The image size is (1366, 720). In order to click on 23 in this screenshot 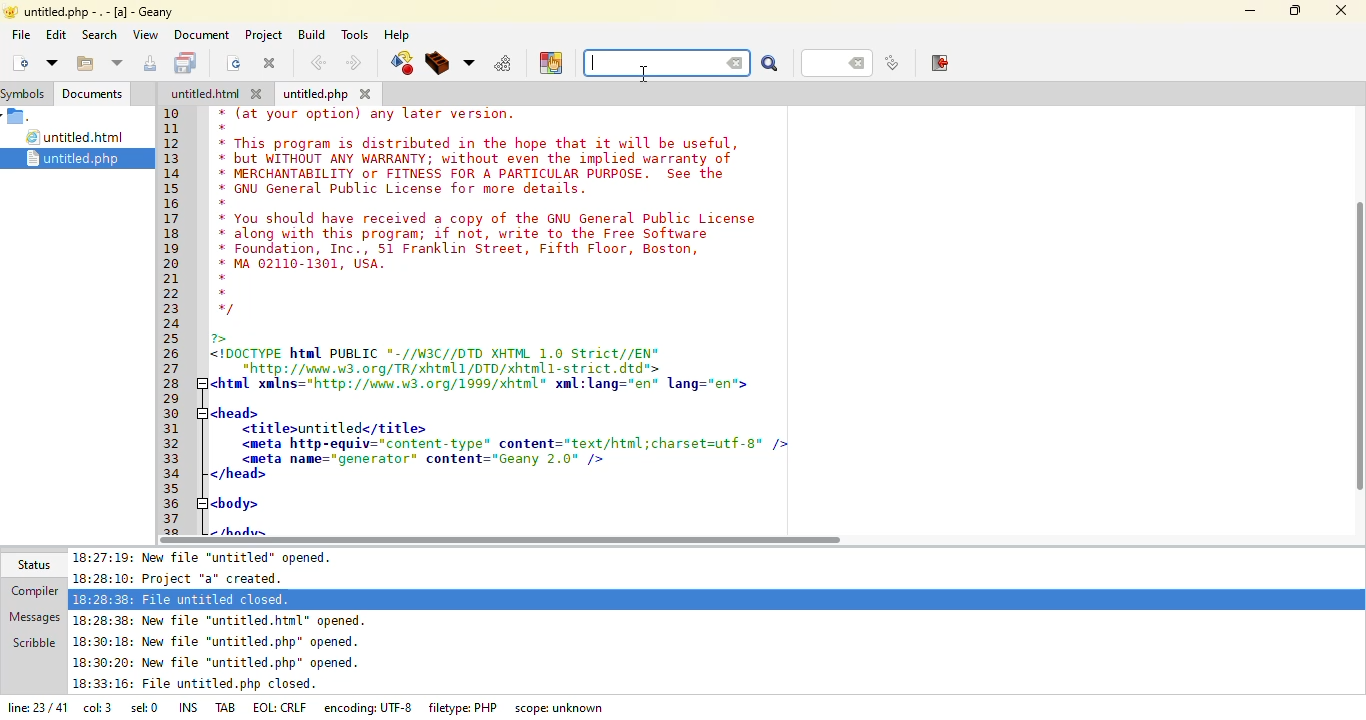, I will do `click(171, 309)`.